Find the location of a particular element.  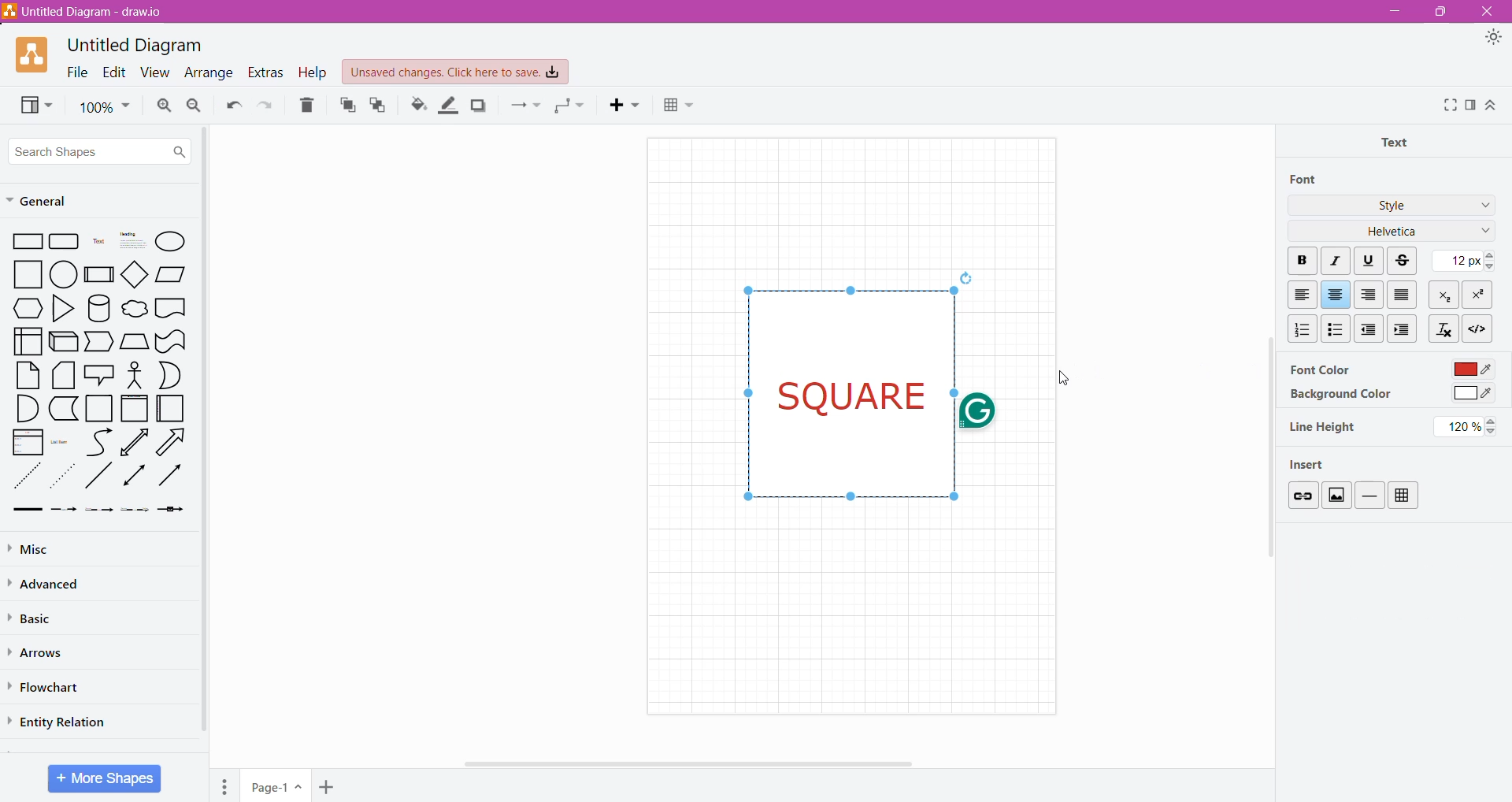

Stacked Papers  is located at coordinates (62, 375).